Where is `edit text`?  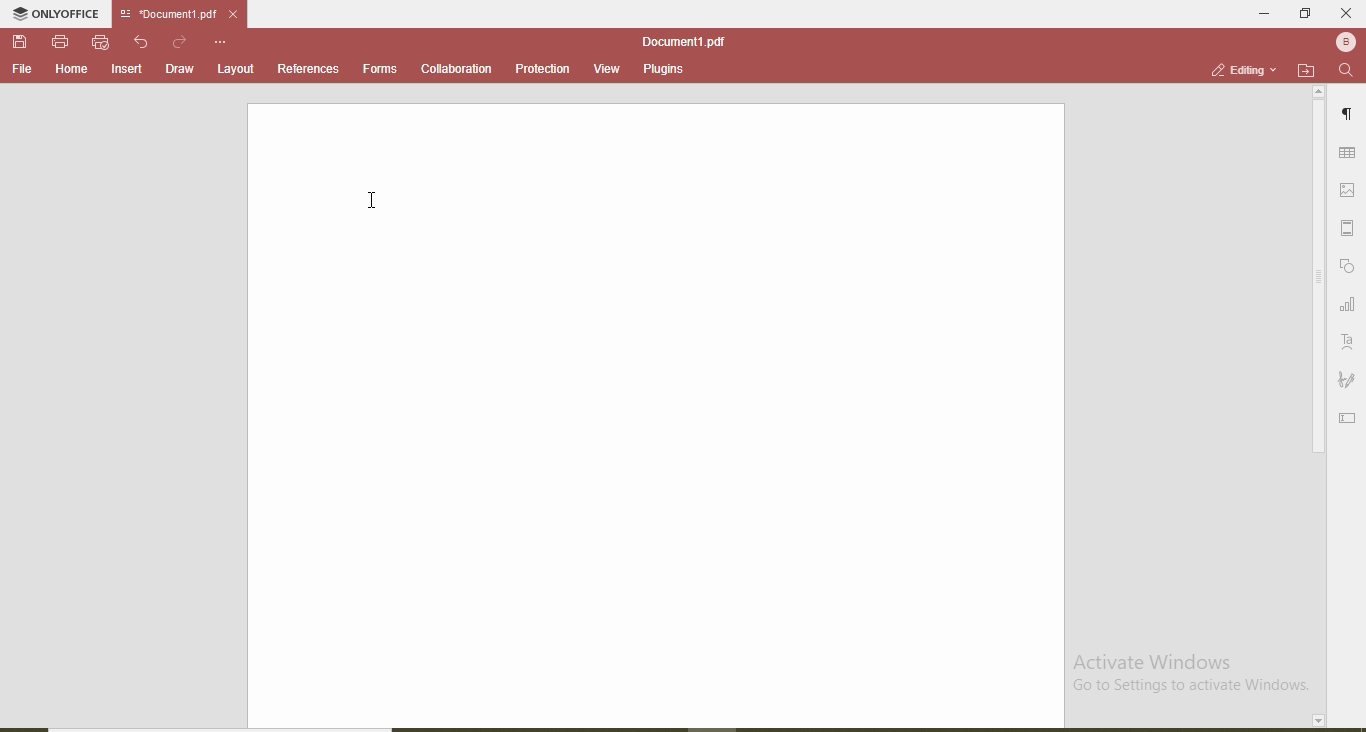 edit text is located at coordinates (1350, 416).